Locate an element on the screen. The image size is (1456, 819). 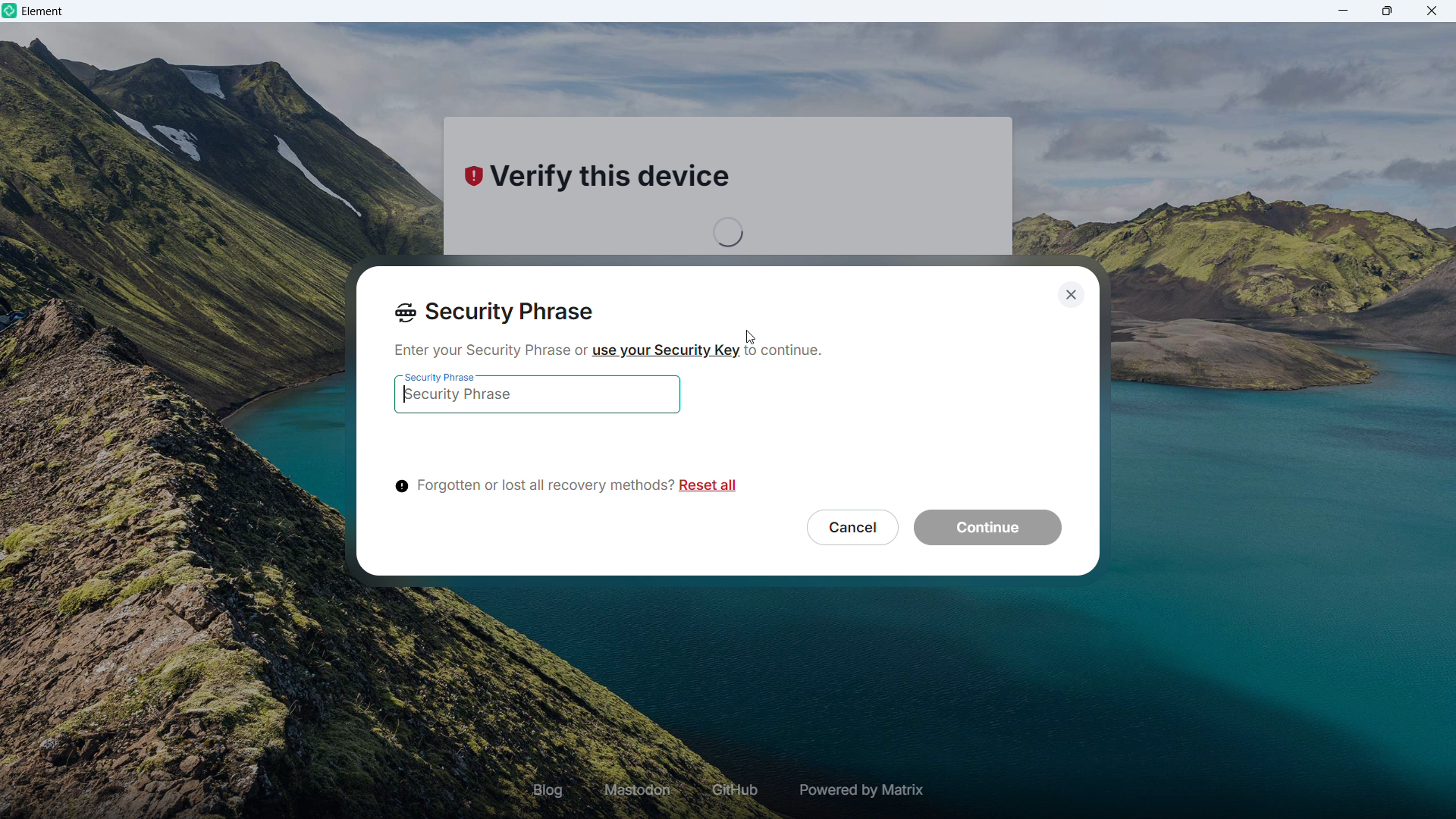
Security phrase  is located at coordinates (495, 313).